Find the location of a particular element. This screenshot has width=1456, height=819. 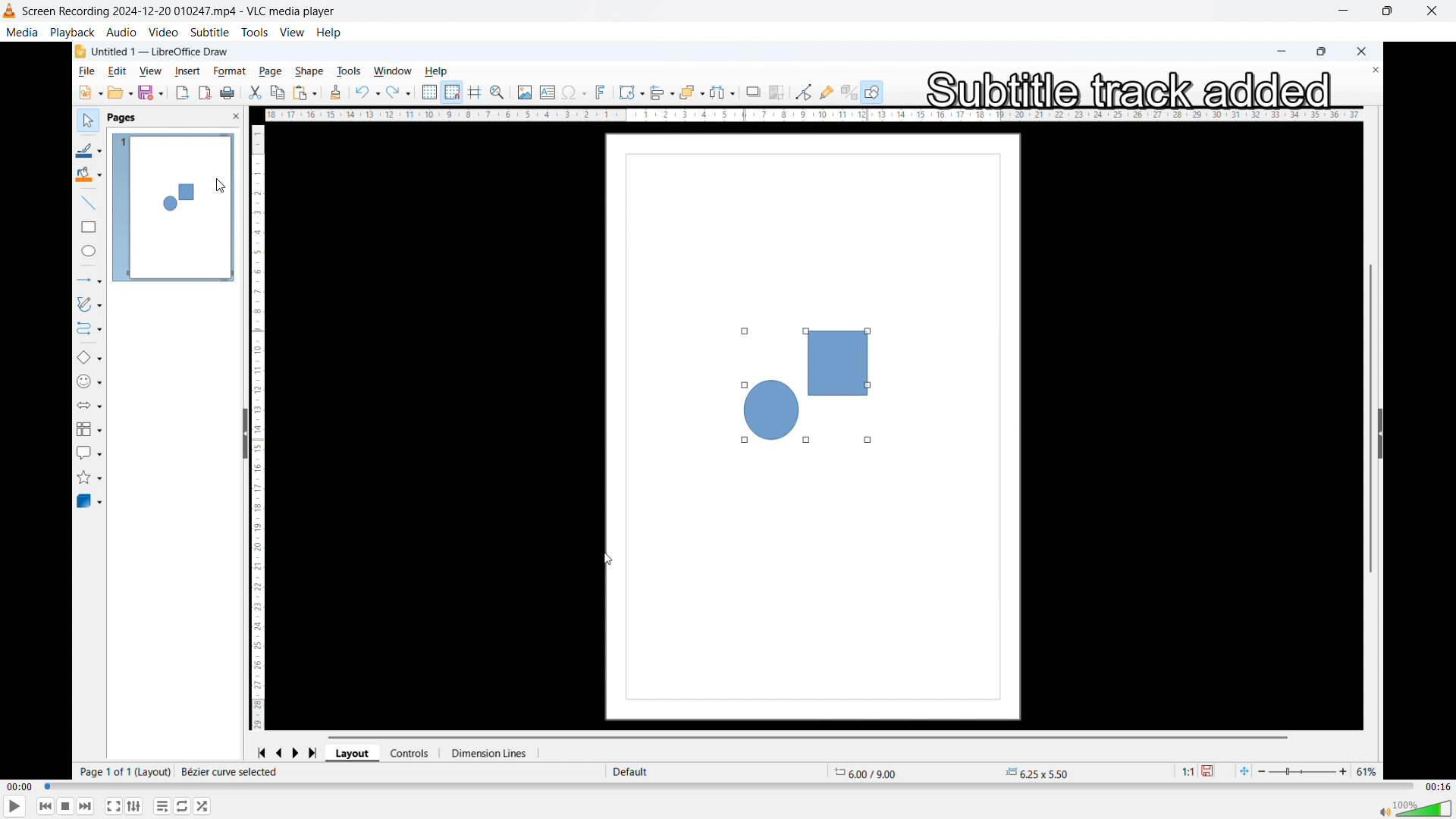

Media  is located at coordinates (22, 31).